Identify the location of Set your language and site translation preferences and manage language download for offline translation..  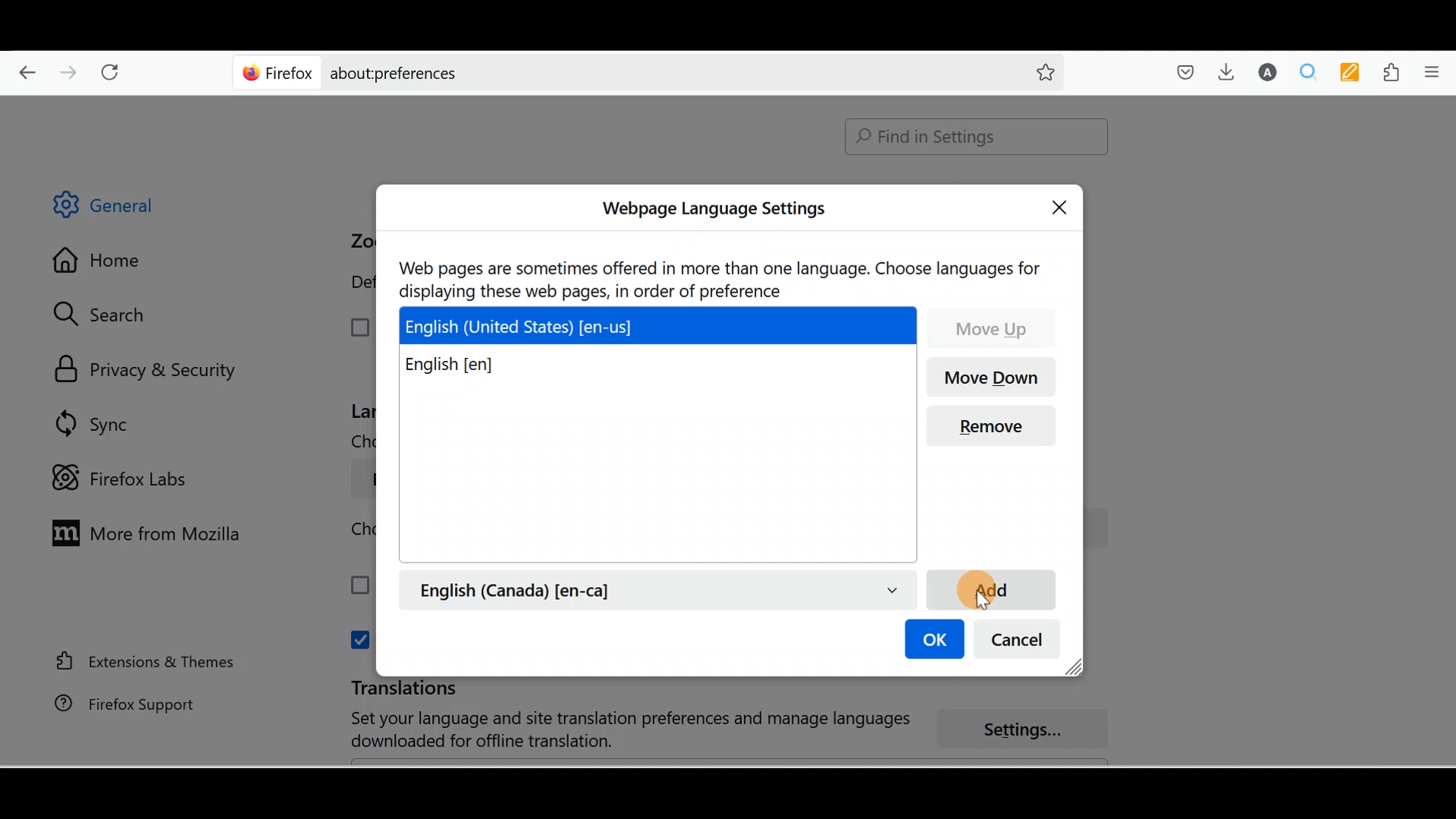
(616, 730).